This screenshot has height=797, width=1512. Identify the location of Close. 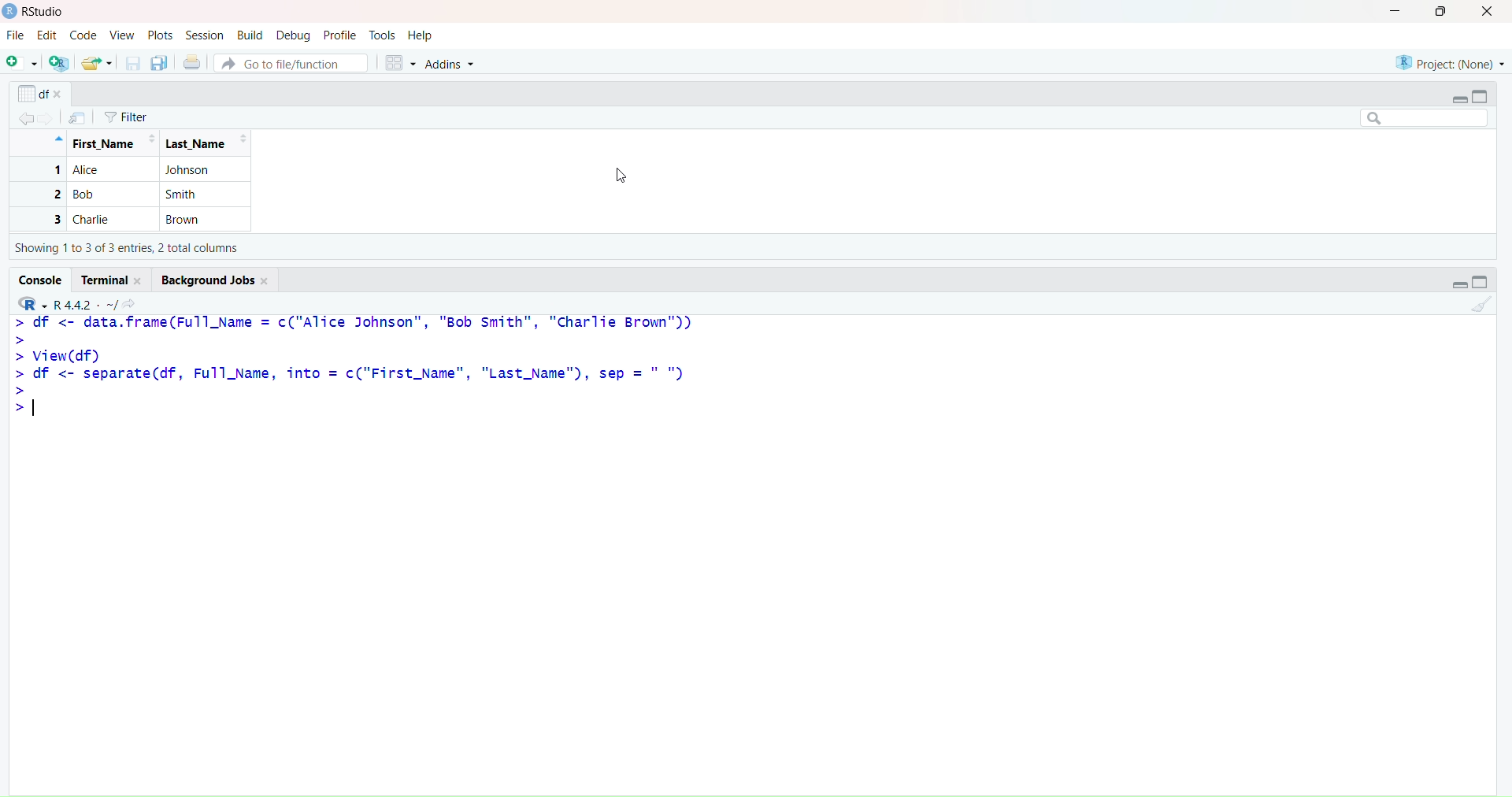
(1490, 13).